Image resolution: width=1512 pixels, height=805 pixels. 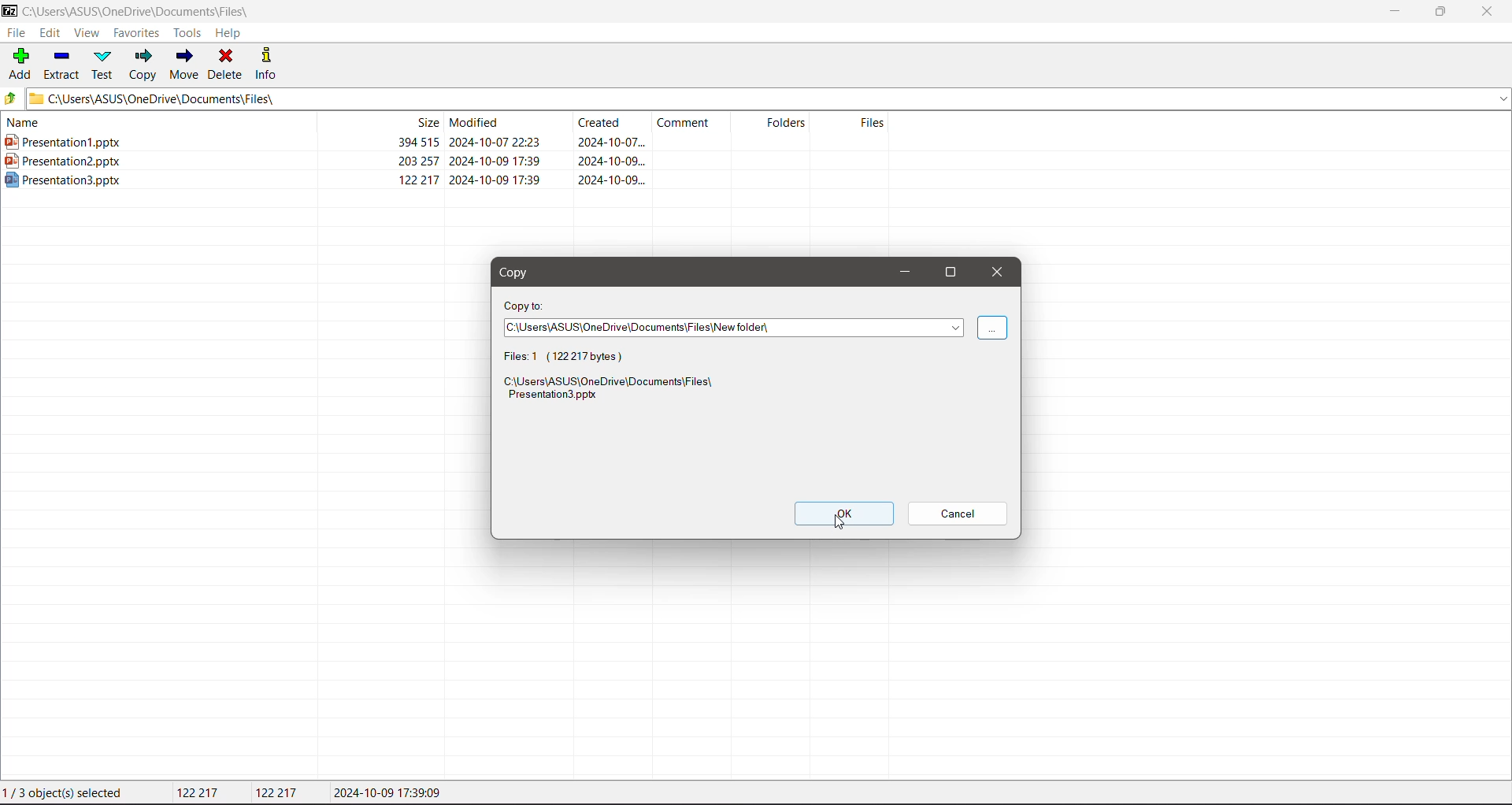 I want to click on Copy To, so click(x=526, y=305).